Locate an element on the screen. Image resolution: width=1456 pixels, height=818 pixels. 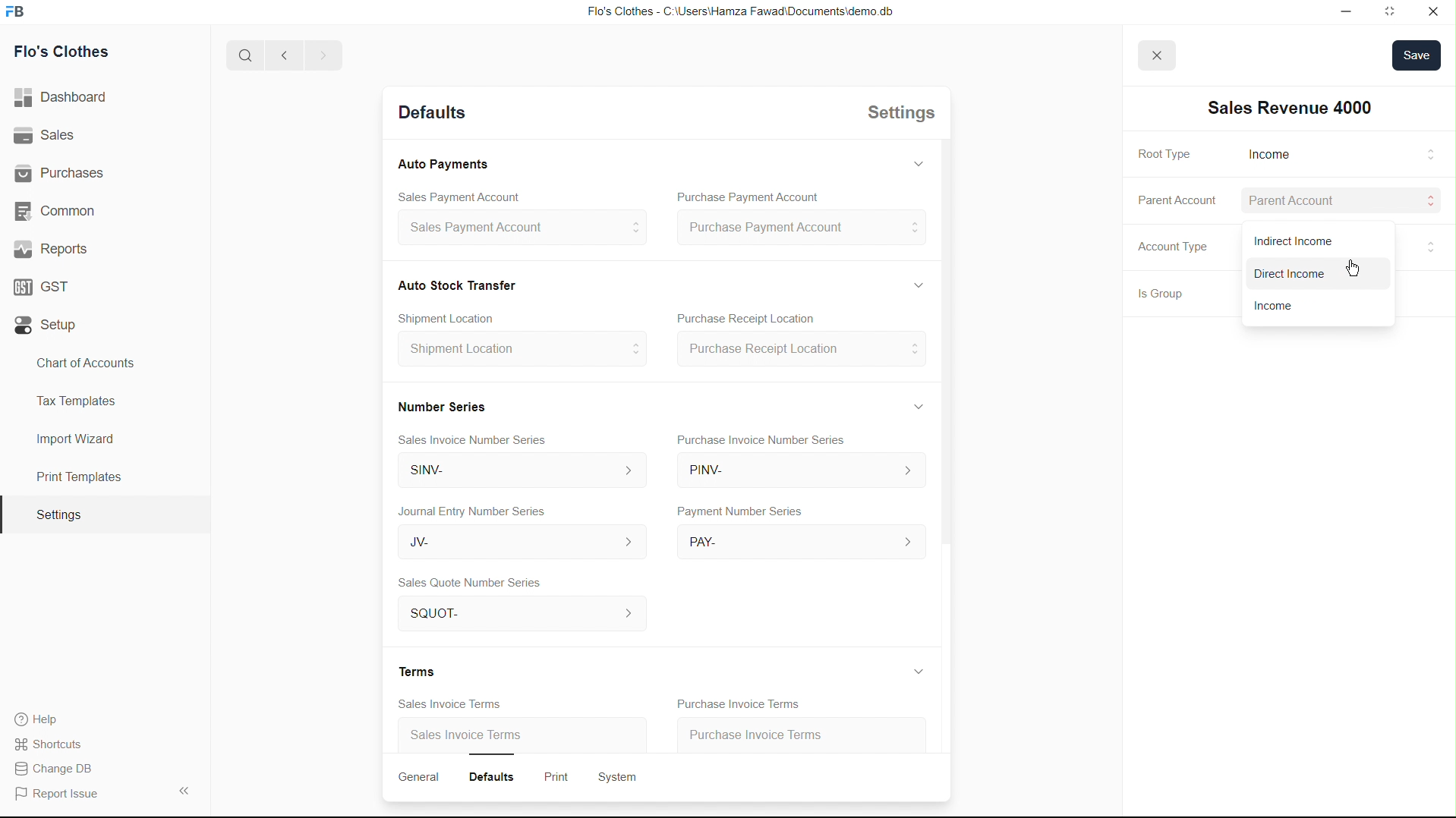
checkbox is located at coordinates (1288, 275).